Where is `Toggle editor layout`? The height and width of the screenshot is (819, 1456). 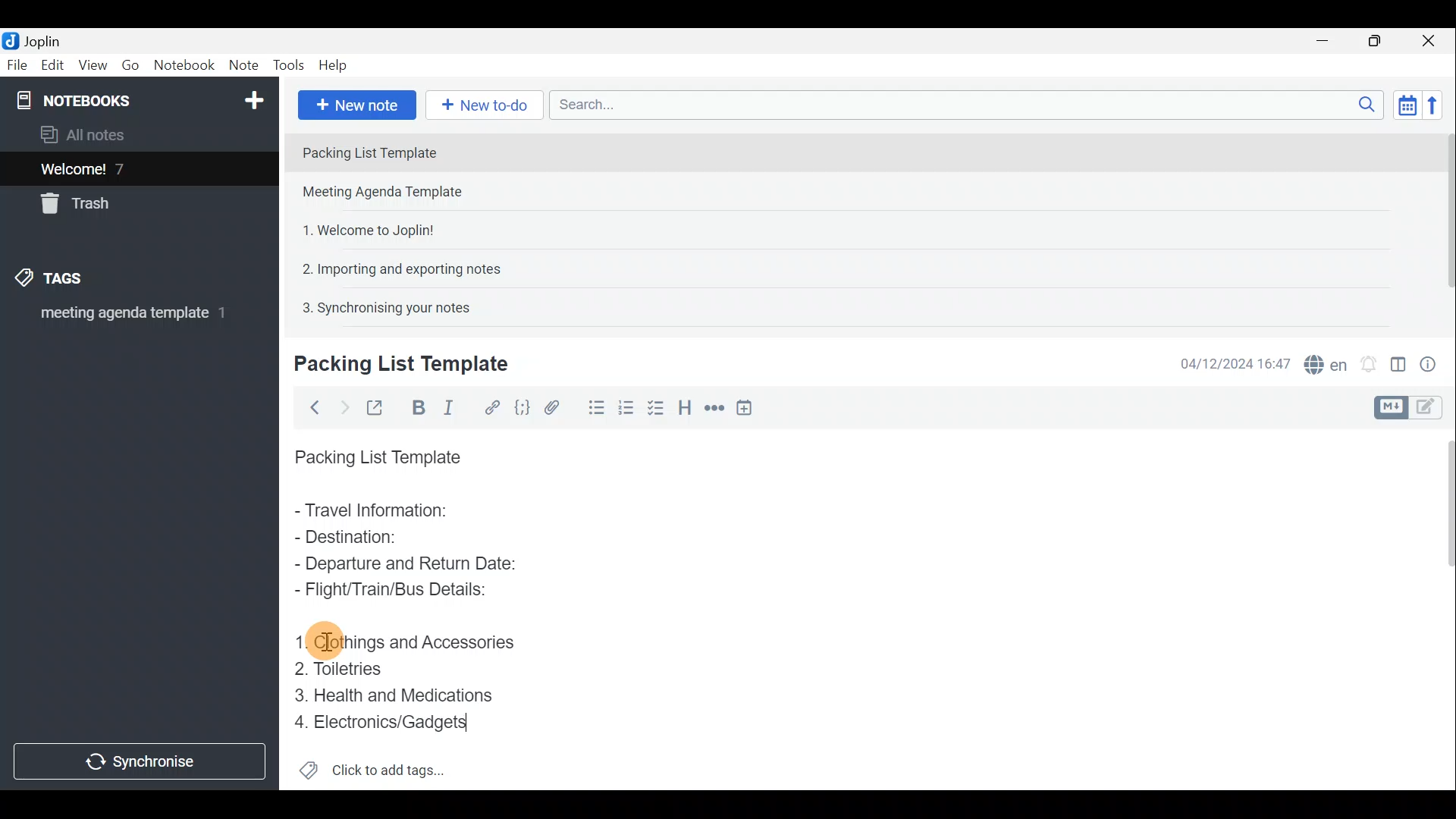 Toggle editor layout is located at coordinates (1398, 359).